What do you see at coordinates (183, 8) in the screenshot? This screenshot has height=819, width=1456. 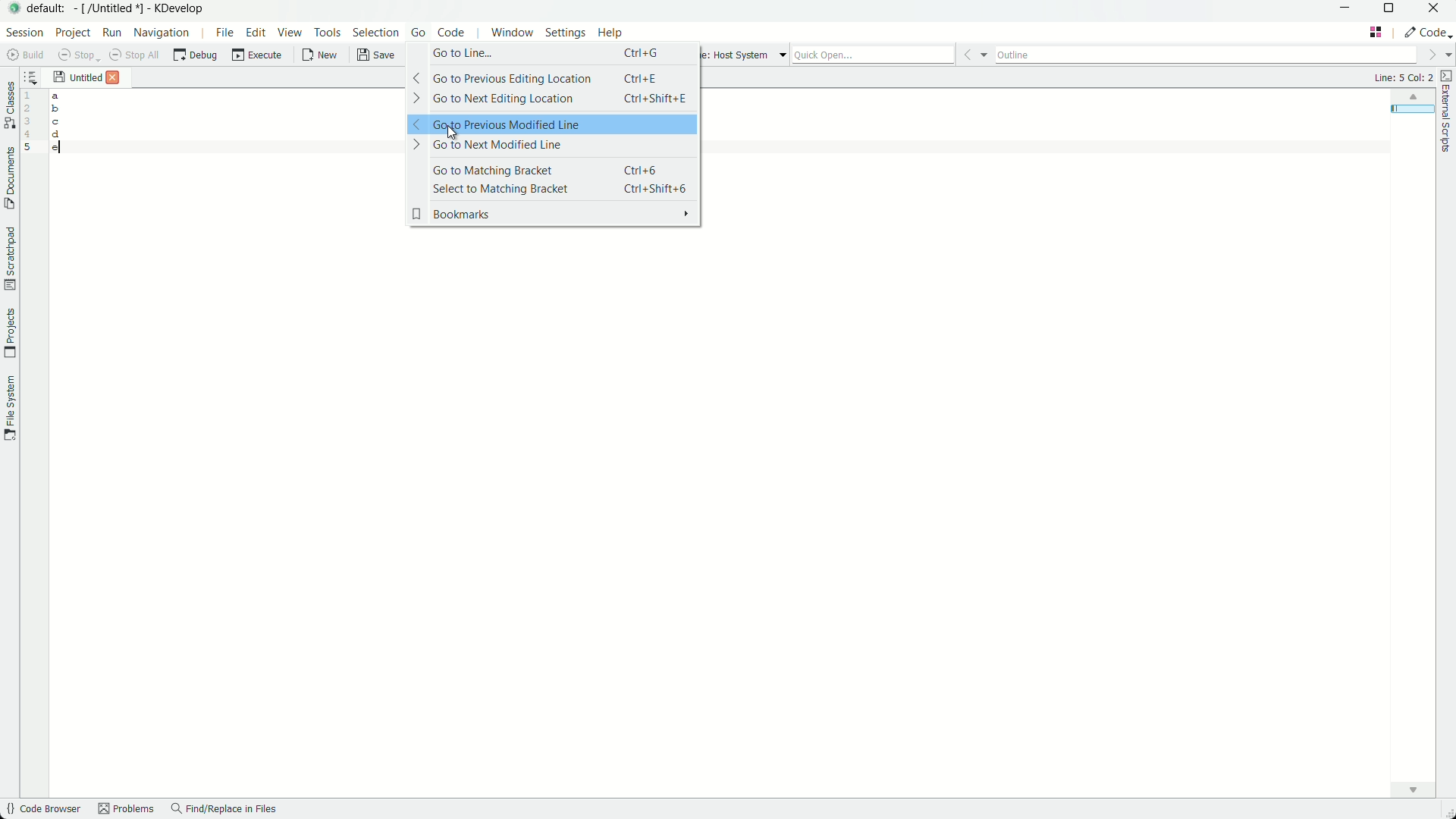 I see `kdevelop` at bounding box center [183, 8].